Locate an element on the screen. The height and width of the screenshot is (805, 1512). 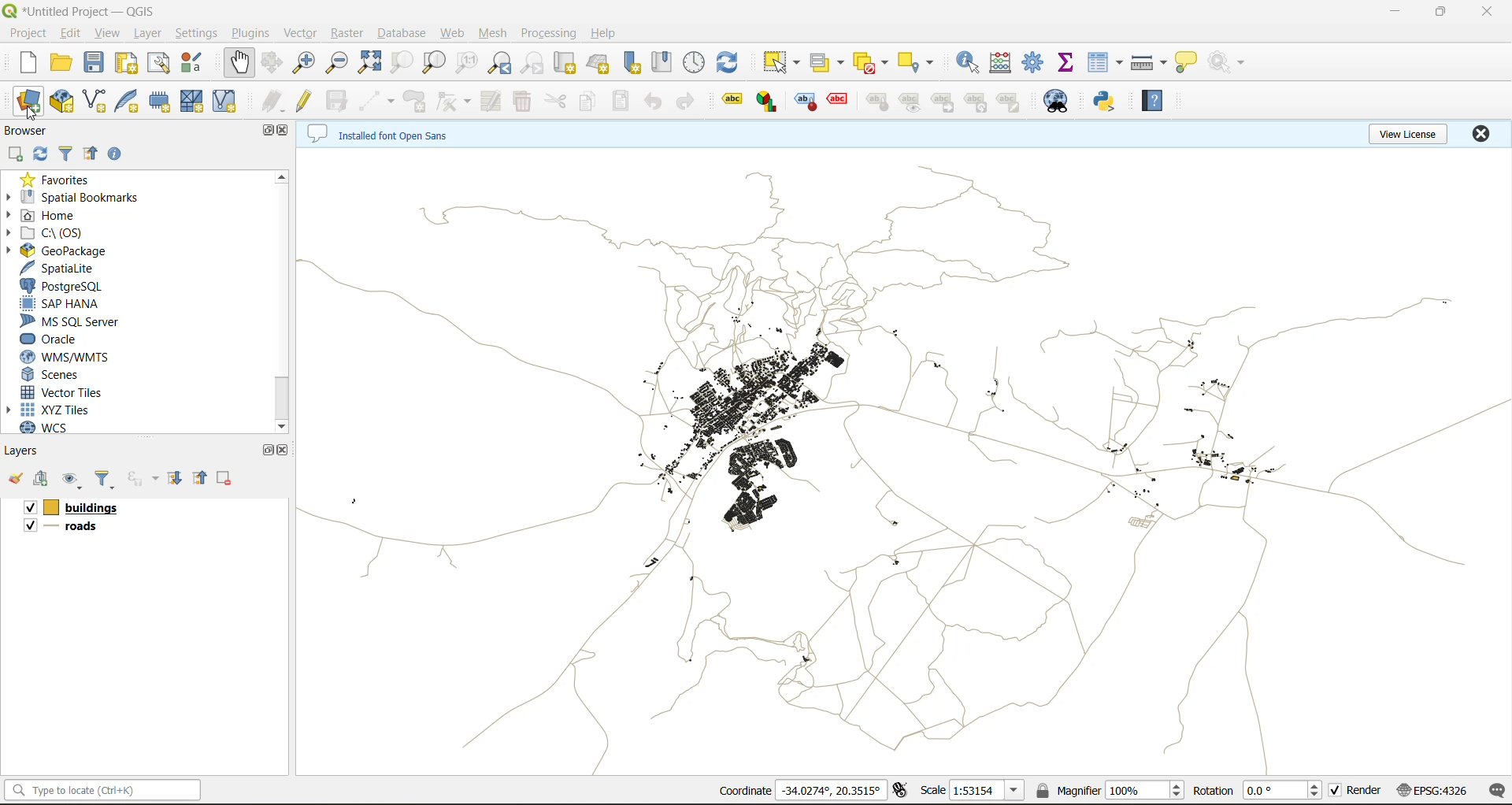
label tool is located at coordinates (769, 101).